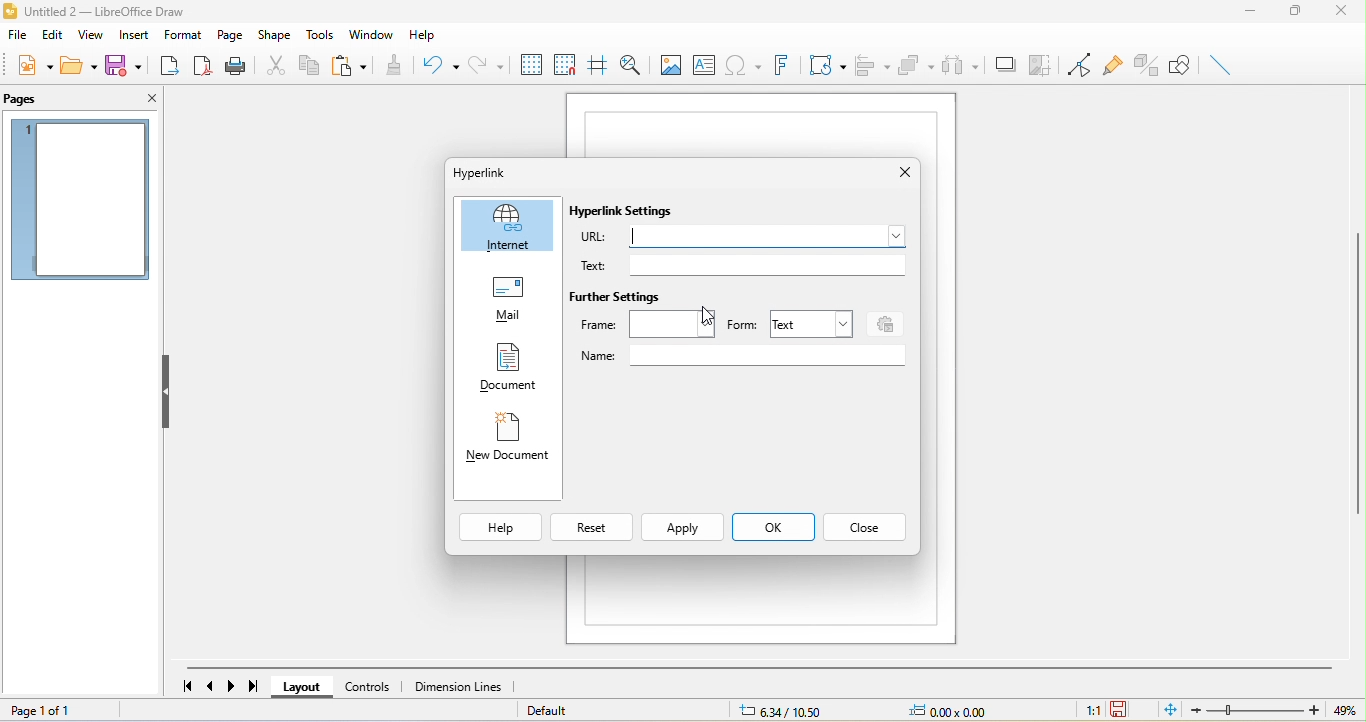  I want to click on file, so click(15, 35).